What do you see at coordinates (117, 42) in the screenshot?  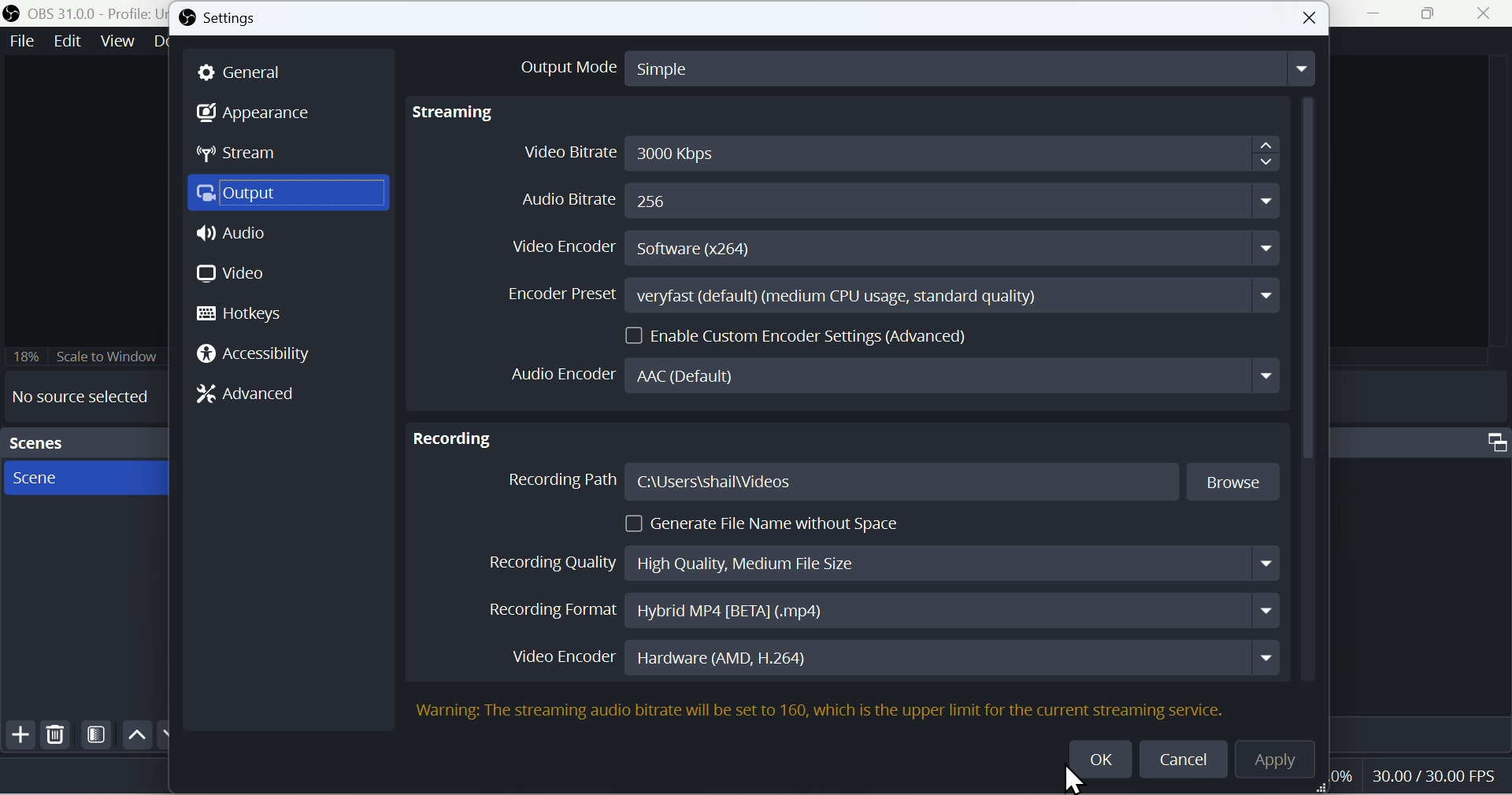 I see `View` at bounding box center [117, 42].